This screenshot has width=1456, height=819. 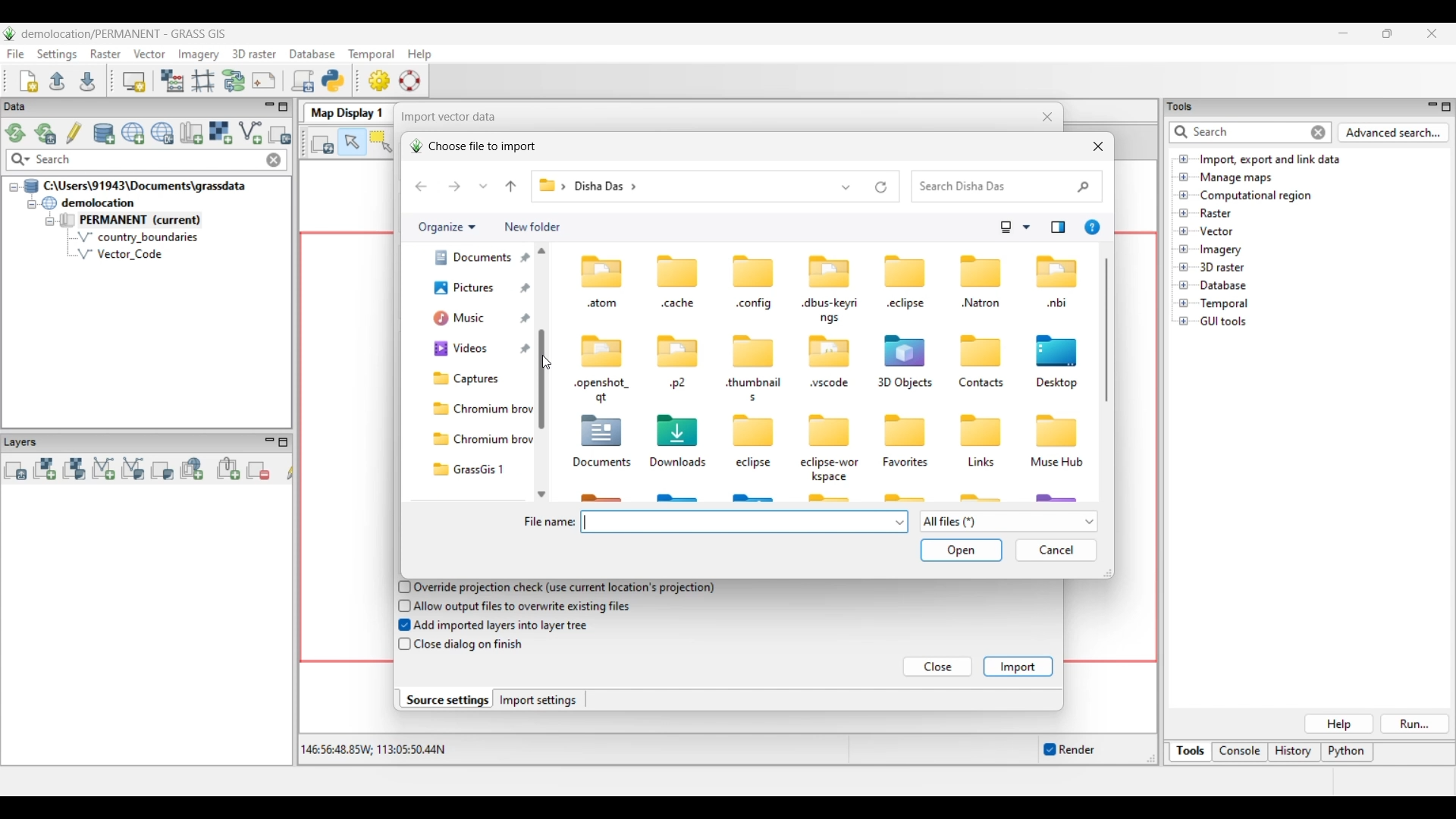 I want to click on Override projection check, so click(x=565, y=588).